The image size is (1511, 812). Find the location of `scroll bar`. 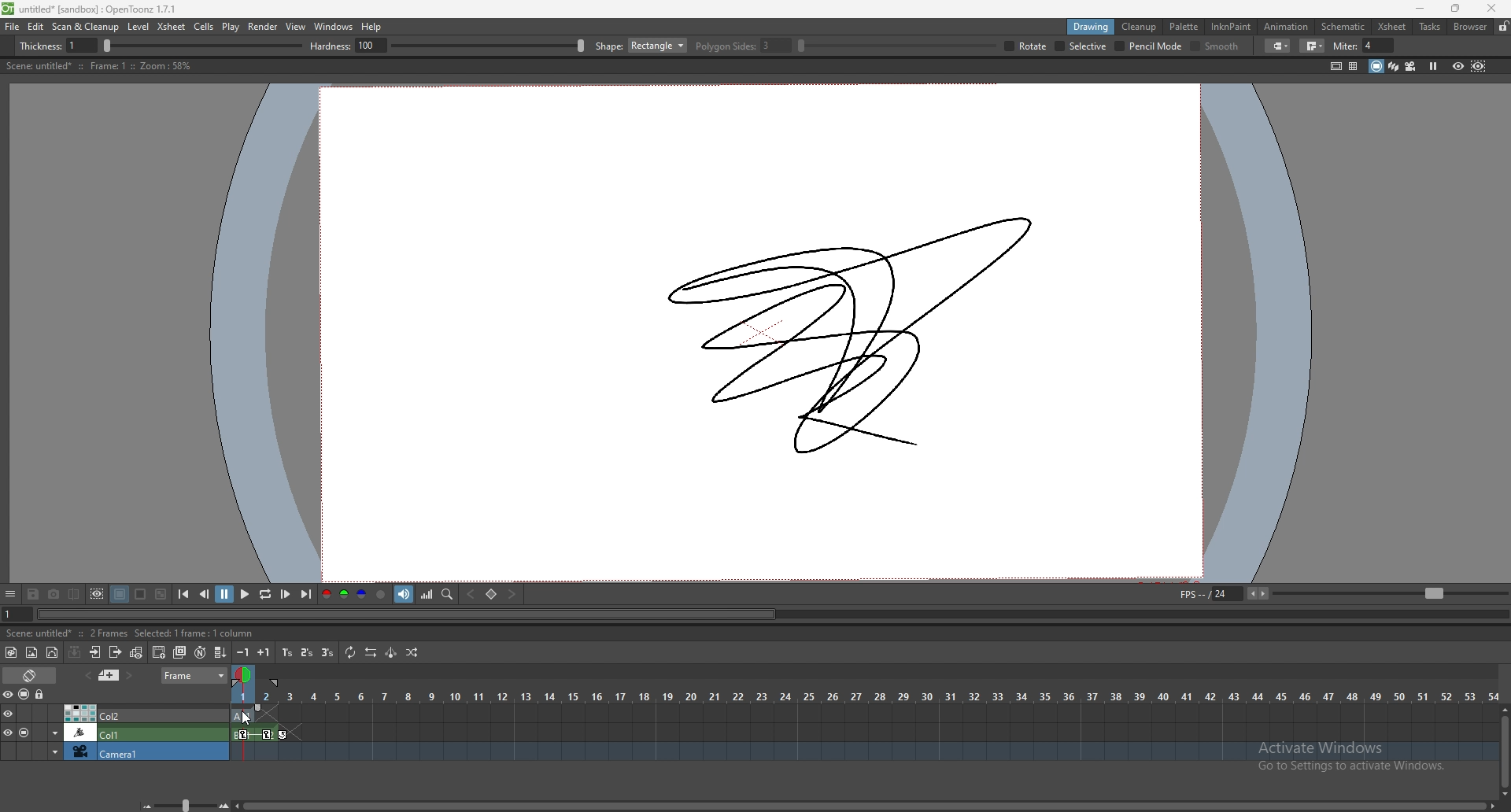

scroll bar is located at coordinates (1505, 751).